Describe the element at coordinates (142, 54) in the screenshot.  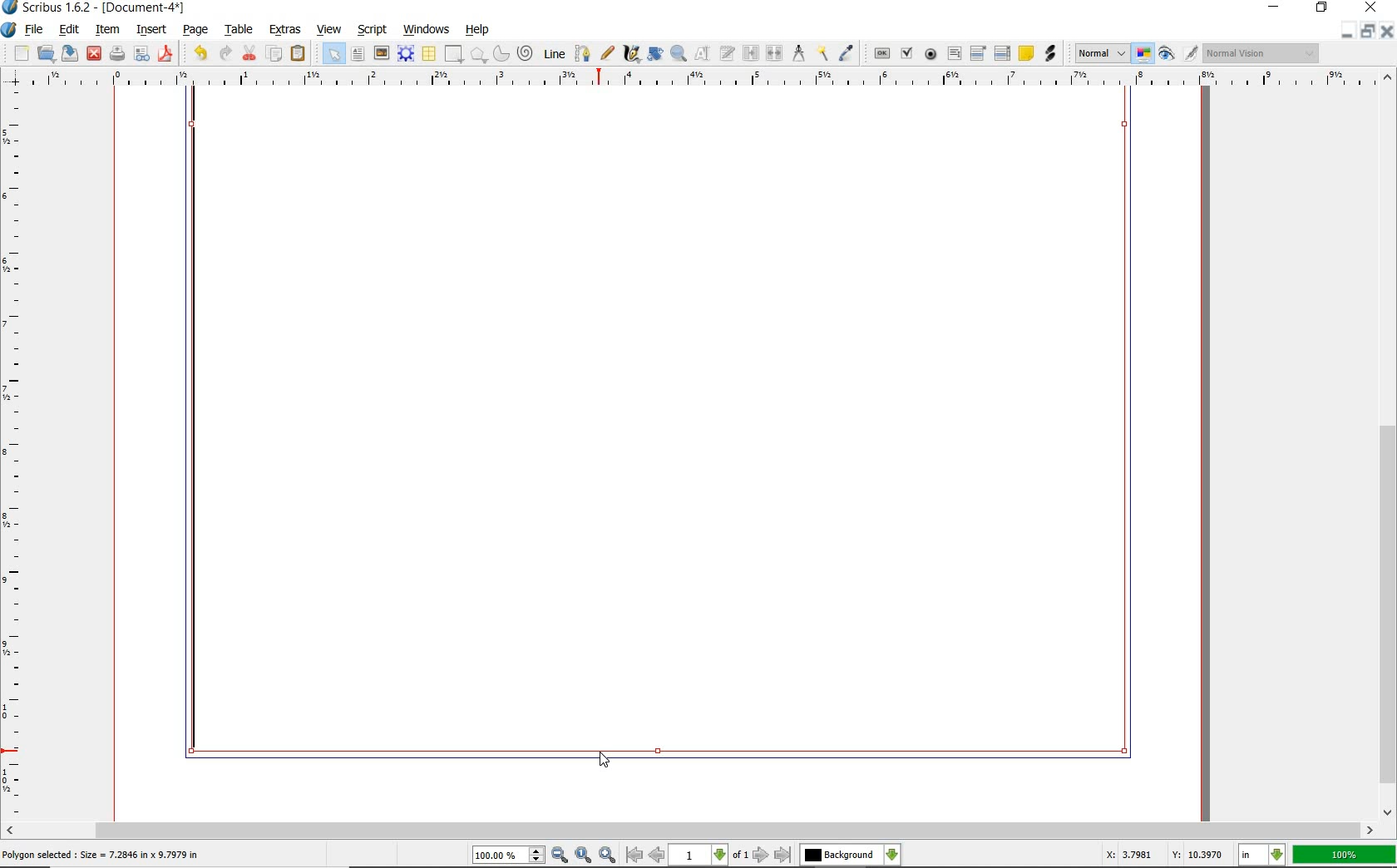
I see `preflight verifier` at that location.